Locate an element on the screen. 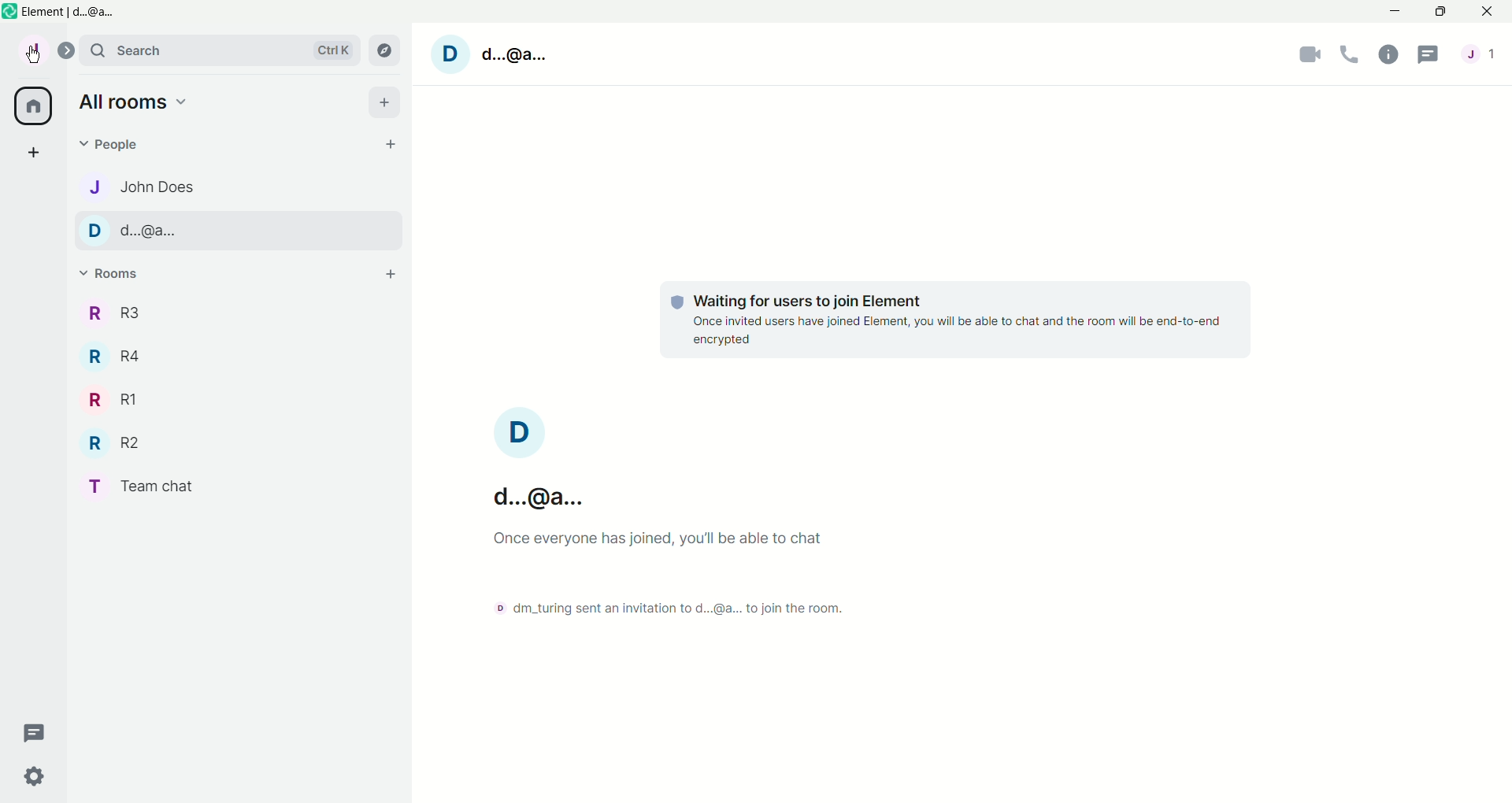  Explore rooms is located at coordinates (384, 51).